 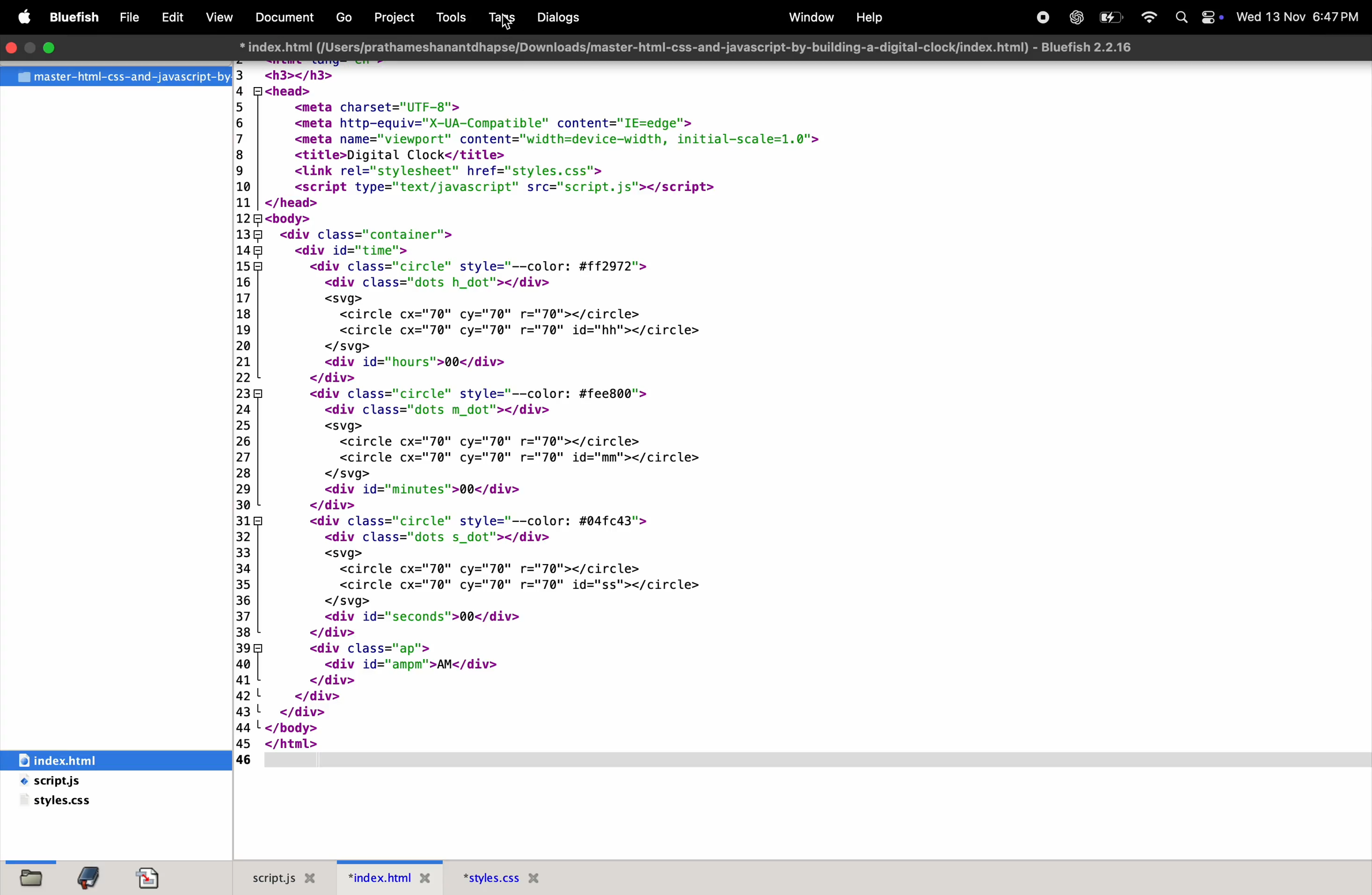 I want to click on Go, so click(x=342, y=17).